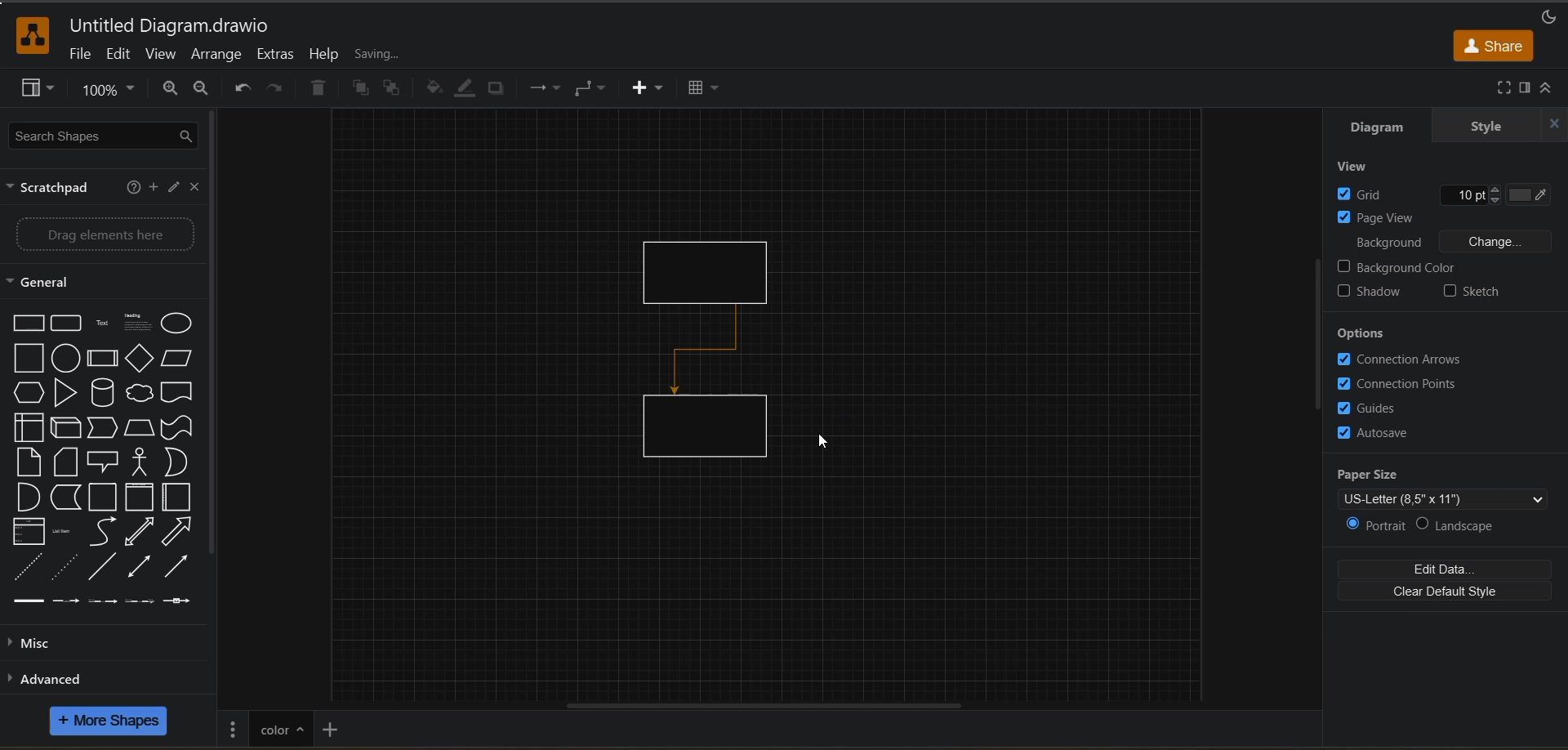 This screenshot has width=1568, height=750. Describe the element at coordinates (357, 88) in the screenshot. I see `to front` at that location.